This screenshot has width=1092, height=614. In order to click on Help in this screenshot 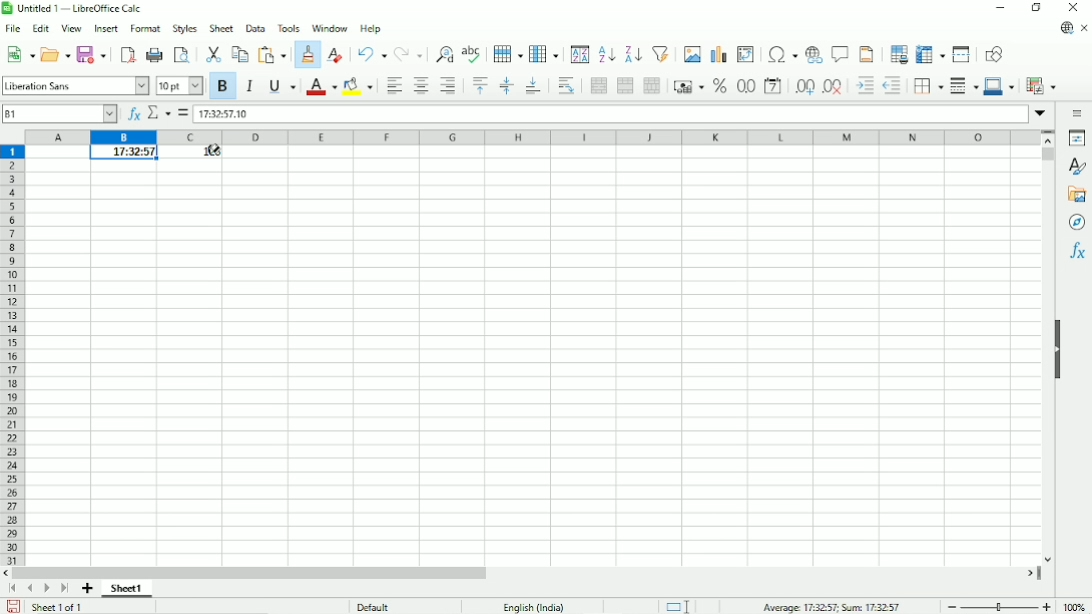, I will do `click(370, 28)`.